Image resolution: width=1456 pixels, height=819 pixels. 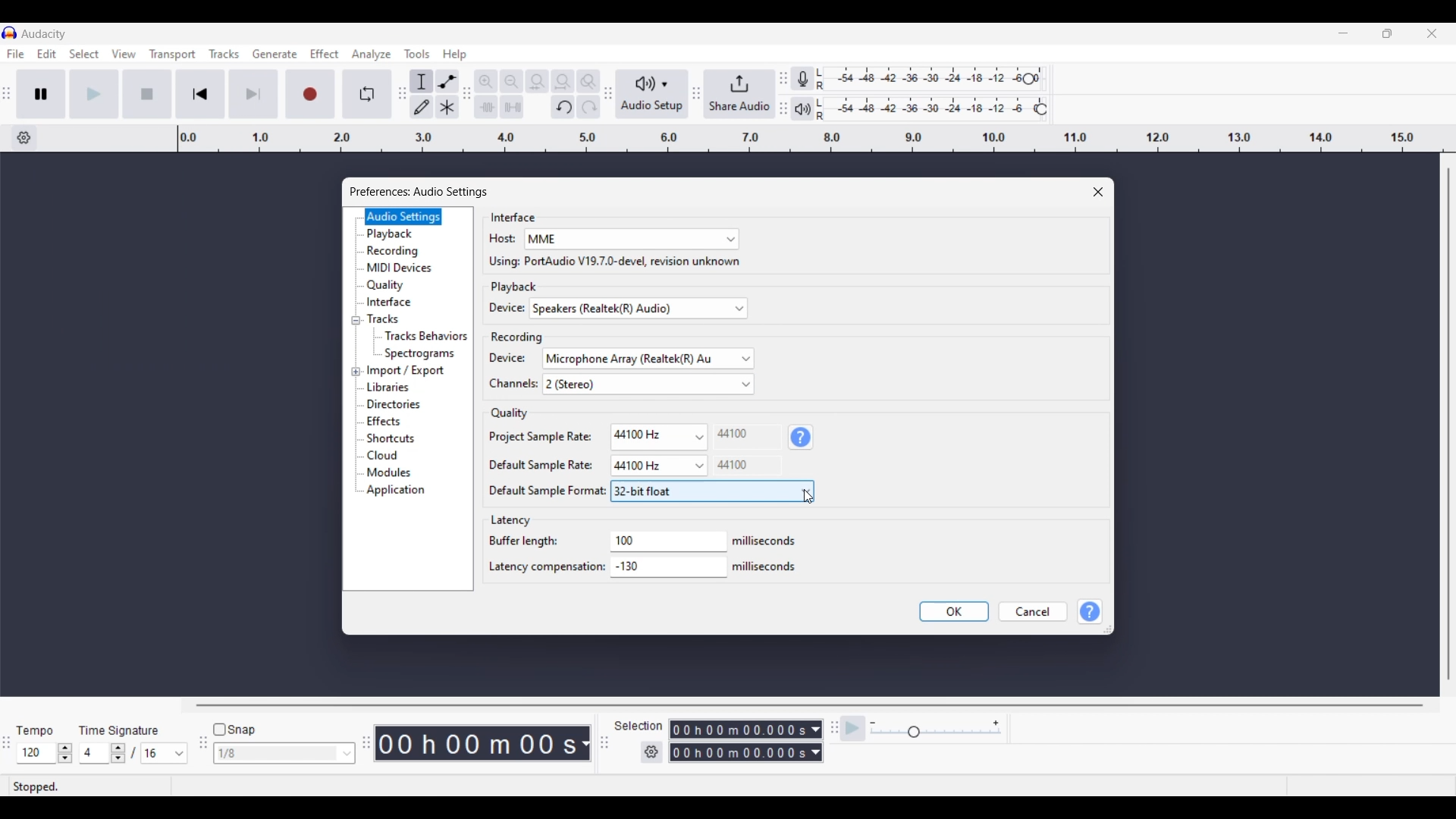 What do you see at coordinates (588, 81) in the screenshot?
I see `Zoom toggle` at bounding box center [588, 81].